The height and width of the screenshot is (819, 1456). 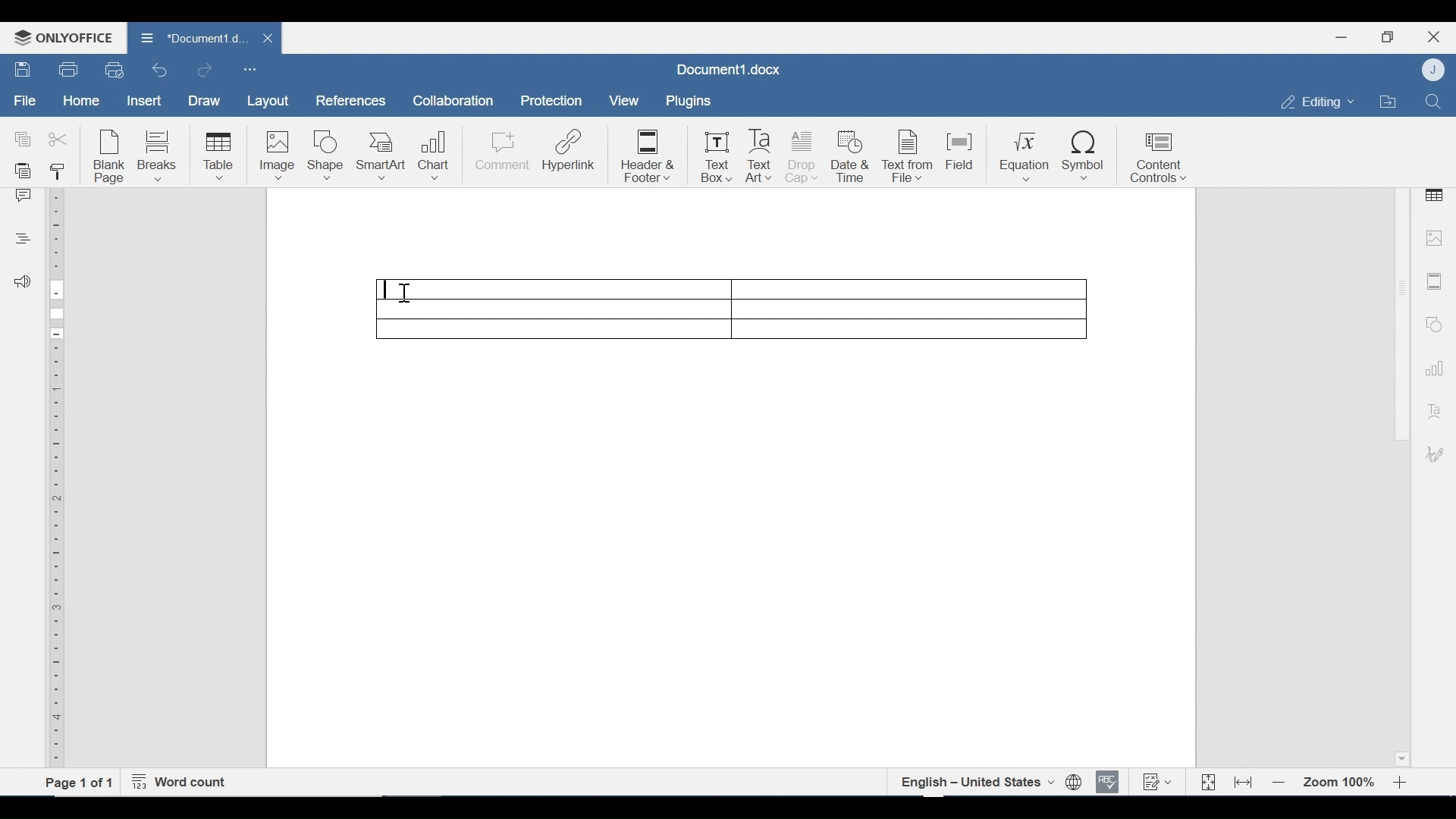 What do you see at coordinates (143, 101) in the screenshot?
I see `Insert` at bounding box center [143, 101].